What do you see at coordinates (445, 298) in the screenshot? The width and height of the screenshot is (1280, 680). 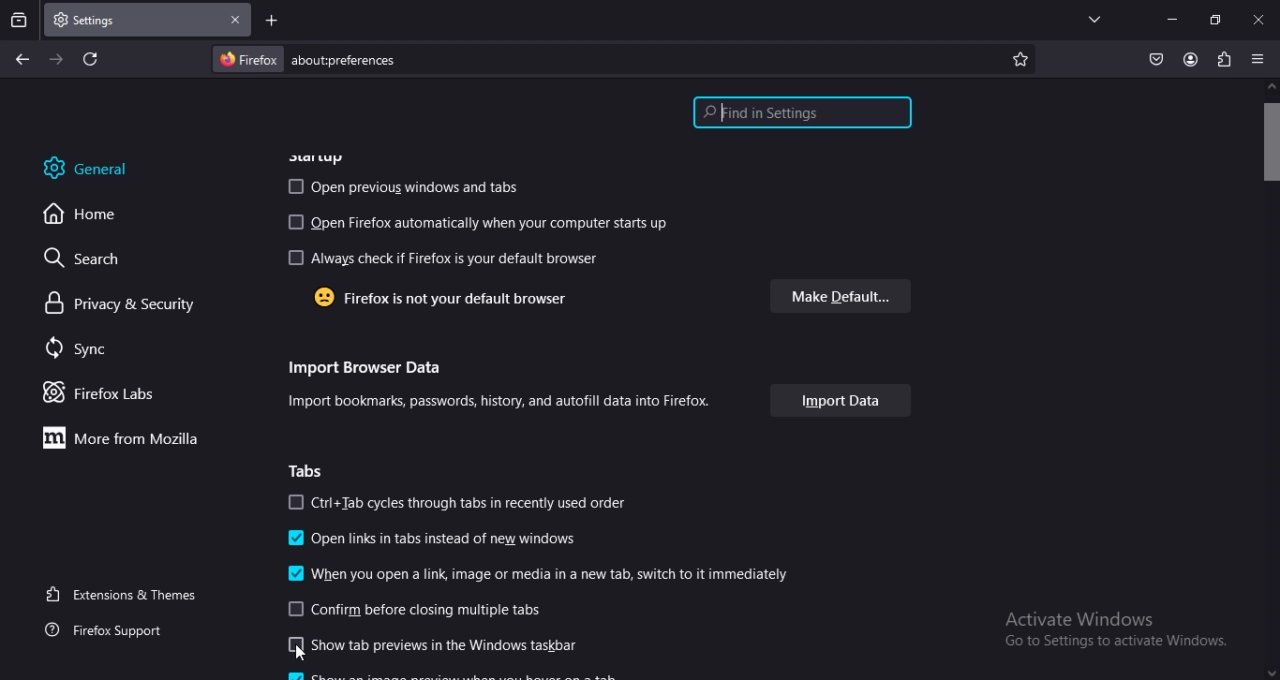 I see `Firefox is not your default browser` at bounding box center [445, 298].